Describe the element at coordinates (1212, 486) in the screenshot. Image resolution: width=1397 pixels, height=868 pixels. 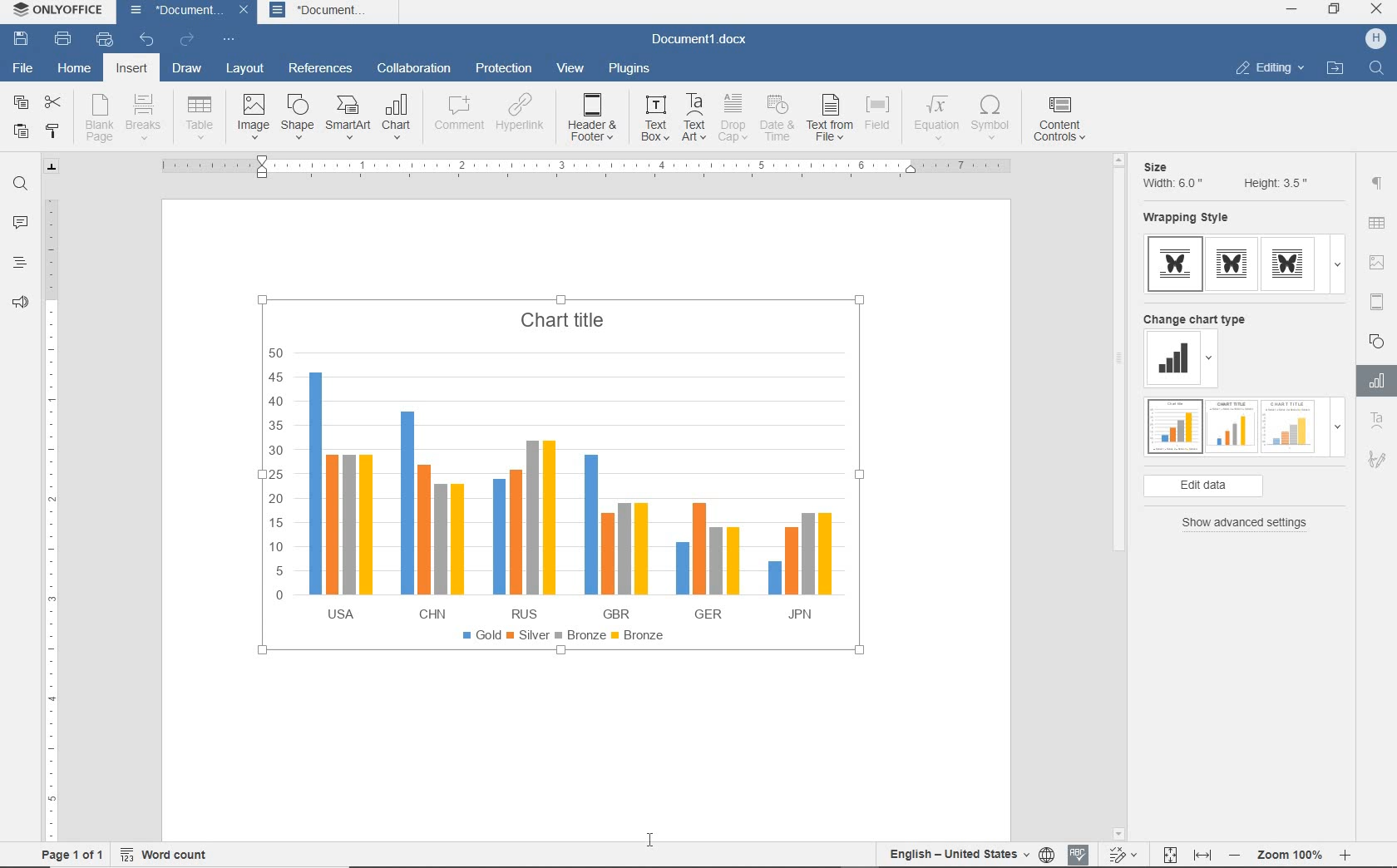
I see `edit data` at that location.